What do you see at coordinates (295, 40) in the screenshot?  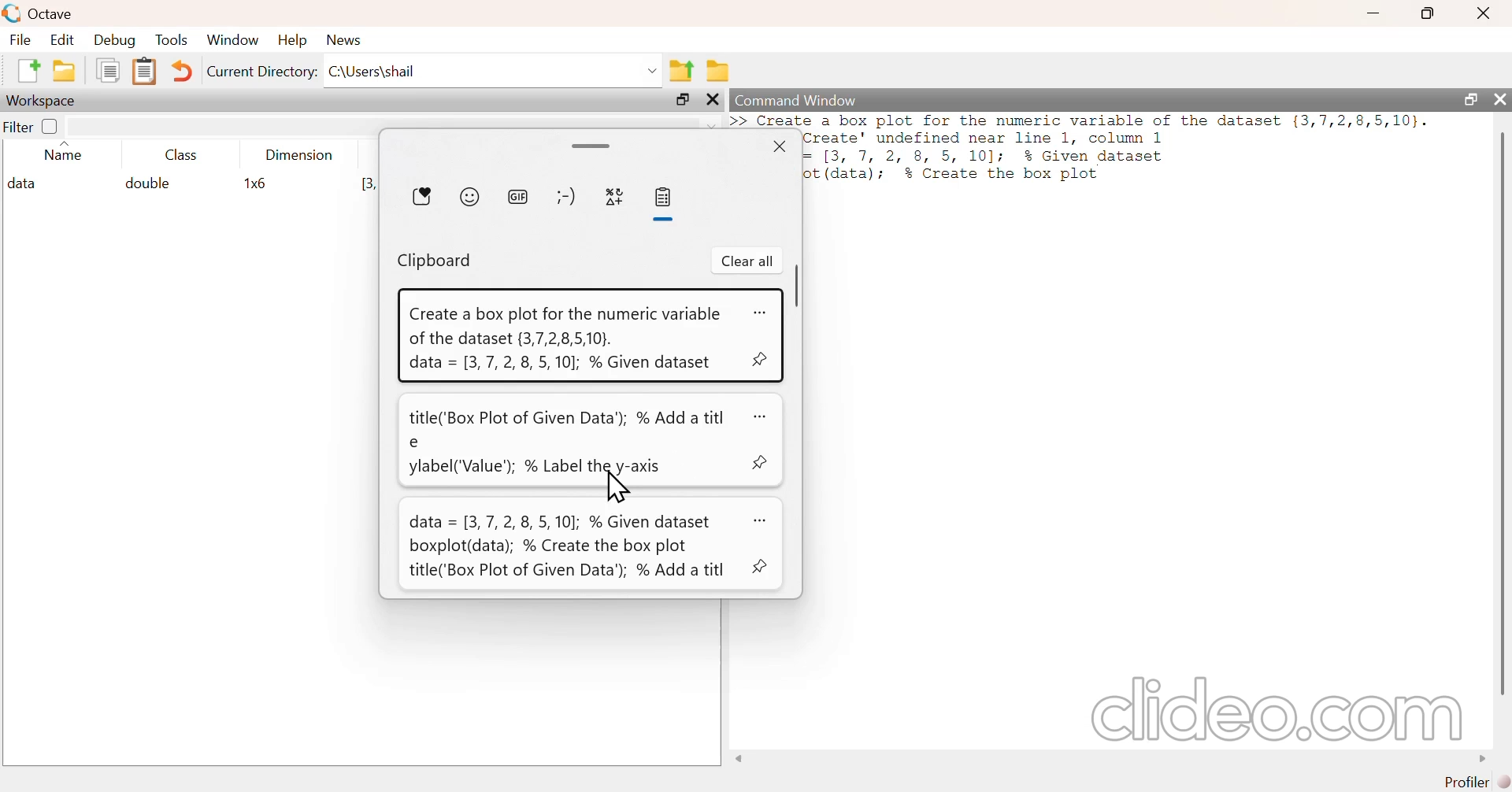 I see `help` at bounding box center [295, 40].